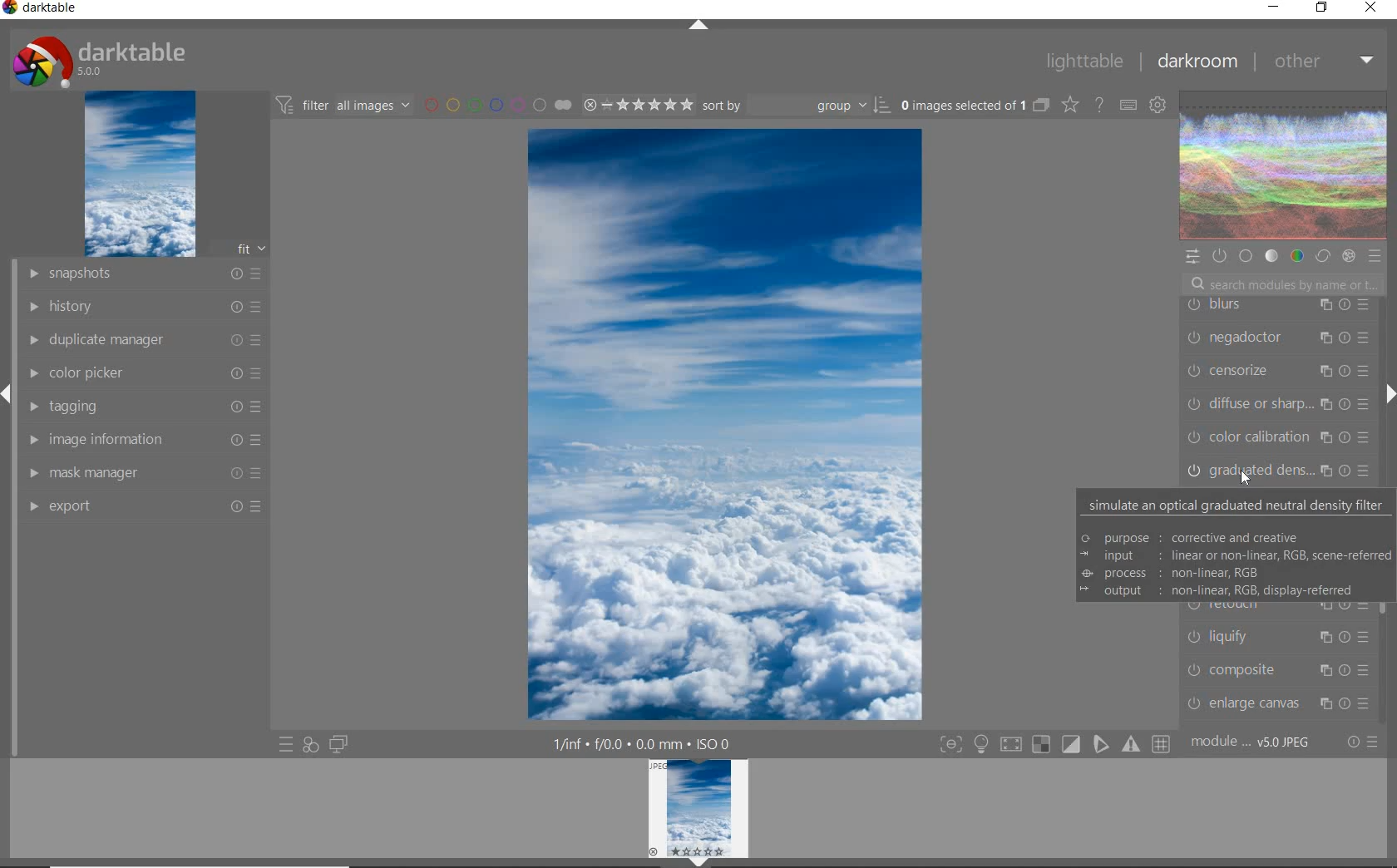 Image resolution: width=1397 pixels, height=868 pixels. I want to click on DUPLICATE MANAGER, so click(142, 340).